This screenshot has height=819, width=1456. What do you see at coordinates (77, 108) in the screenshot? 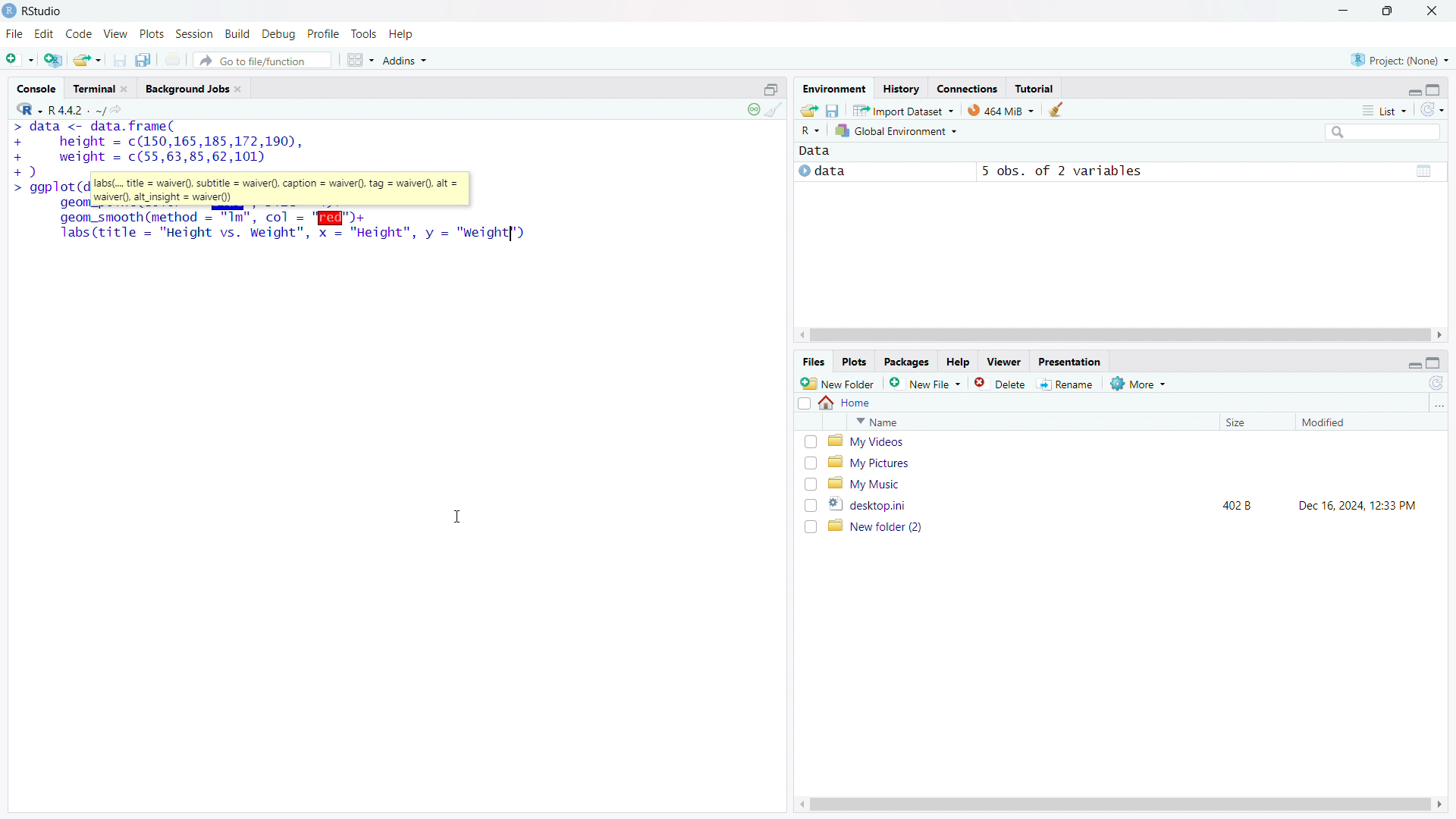
I see `R 4.4.2 . ~/` at bounding box center [77, 108].